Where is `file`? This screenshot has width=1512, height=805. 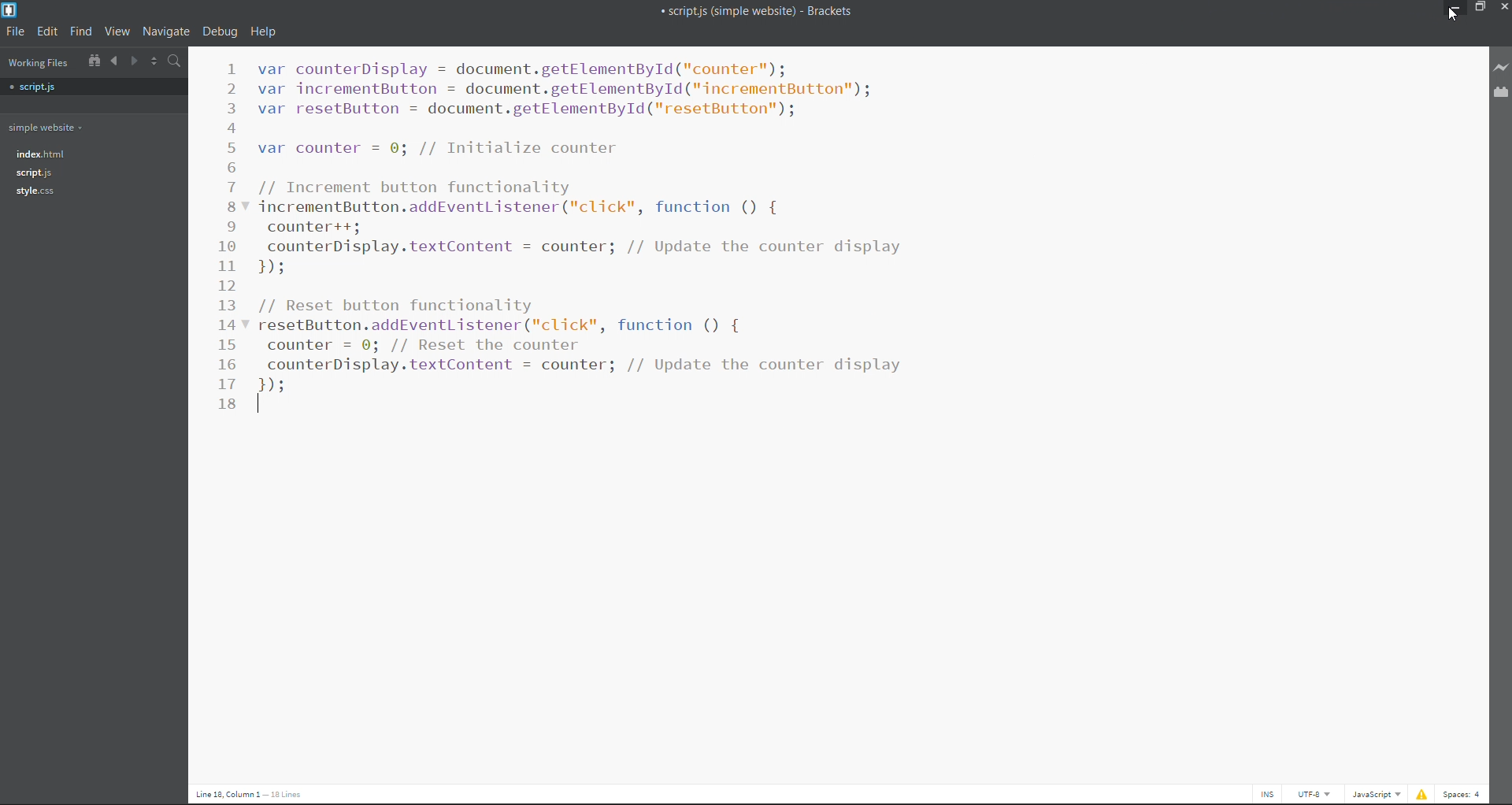
file is located at coordinates (17, 31).